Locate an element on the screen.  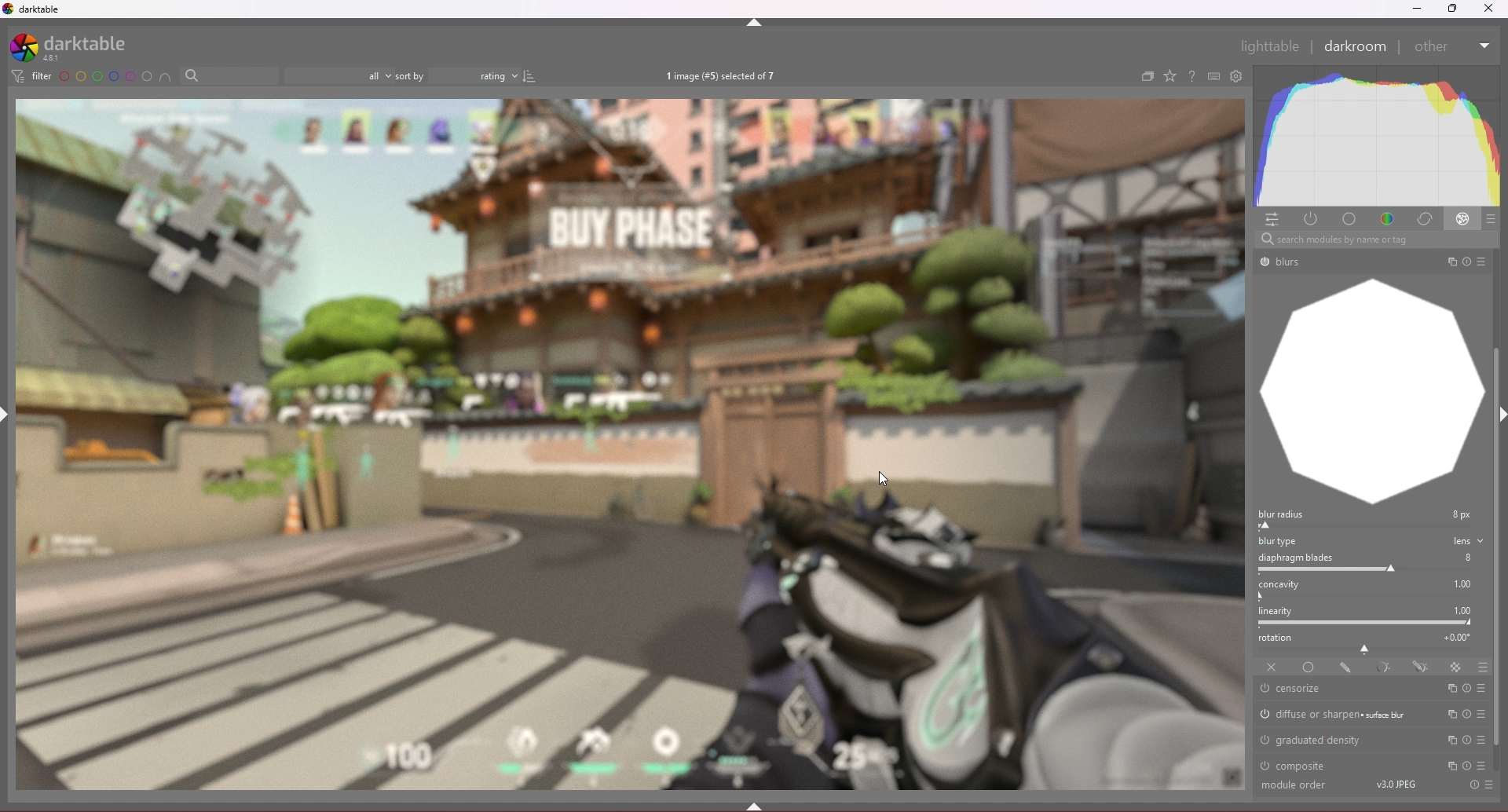
parametric mask is located at coordinates (1385, 668).